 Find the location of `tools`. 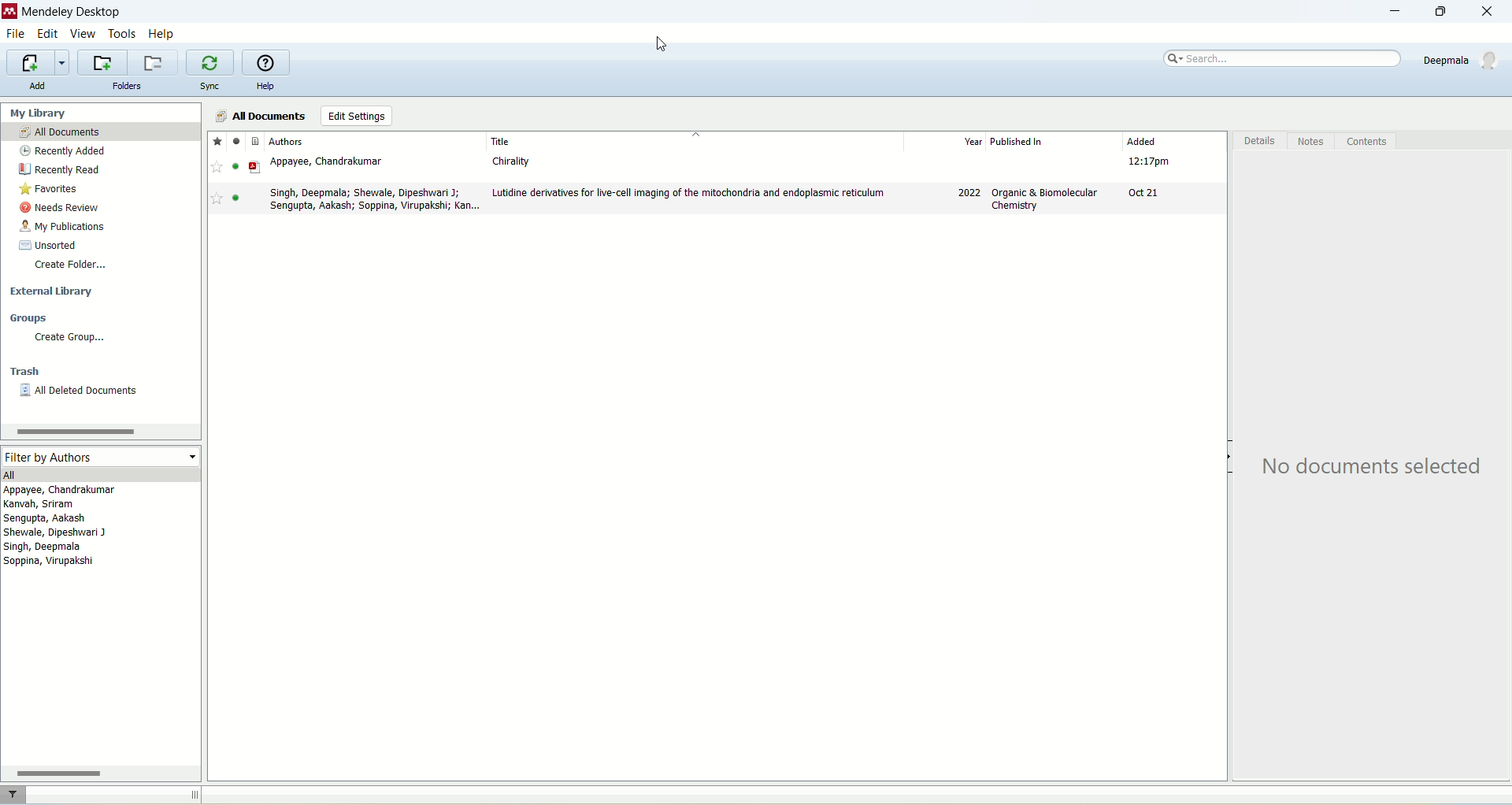

tools is located at coordinates (124, 33).